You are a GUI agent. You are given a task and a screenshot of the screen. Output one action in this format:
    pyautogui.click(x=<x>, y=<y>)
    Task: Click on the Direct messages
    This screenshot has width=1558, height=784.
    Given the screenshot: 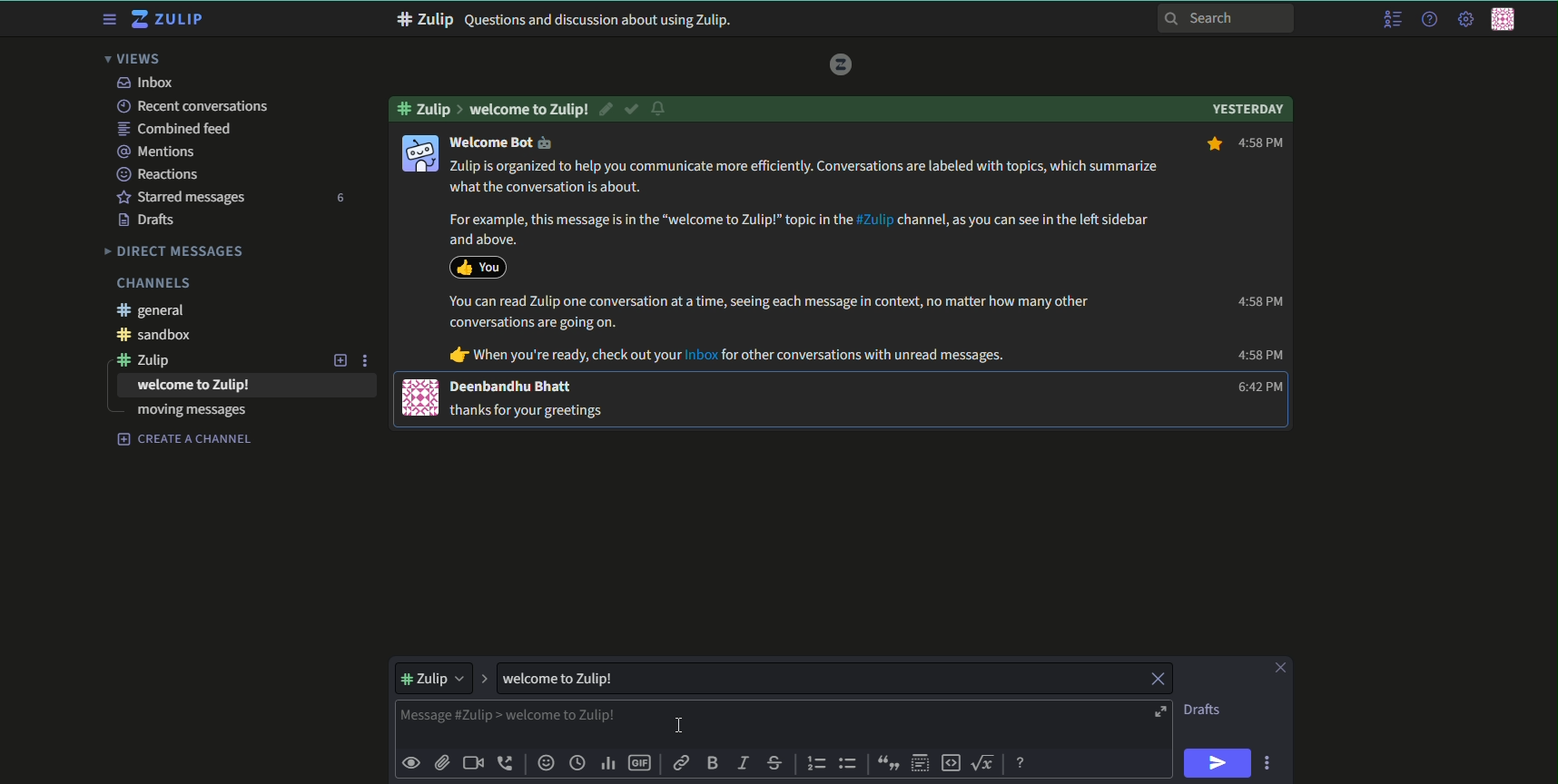 What is the action you would take?
    pyautogui.click(x=175, y=250)
    